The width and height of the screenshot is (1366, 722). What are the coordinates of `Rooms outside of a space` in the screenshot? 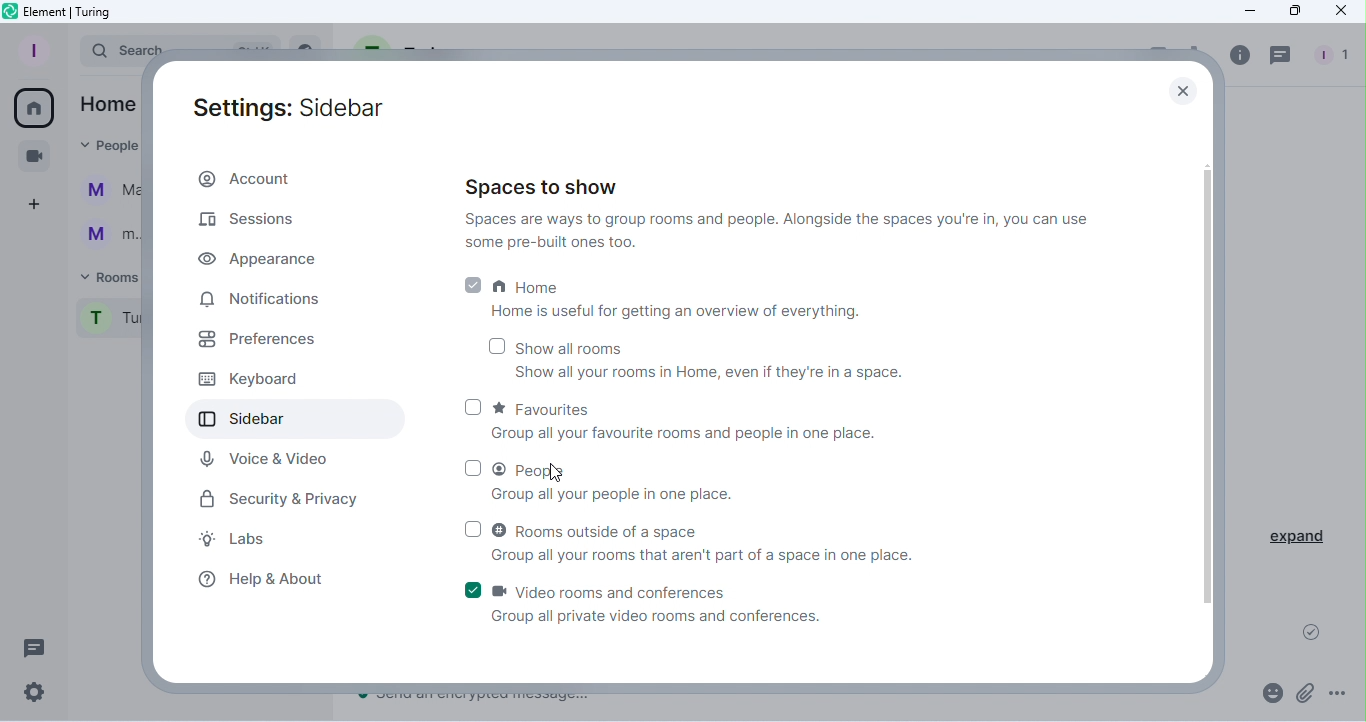 It's located at (691, 540).